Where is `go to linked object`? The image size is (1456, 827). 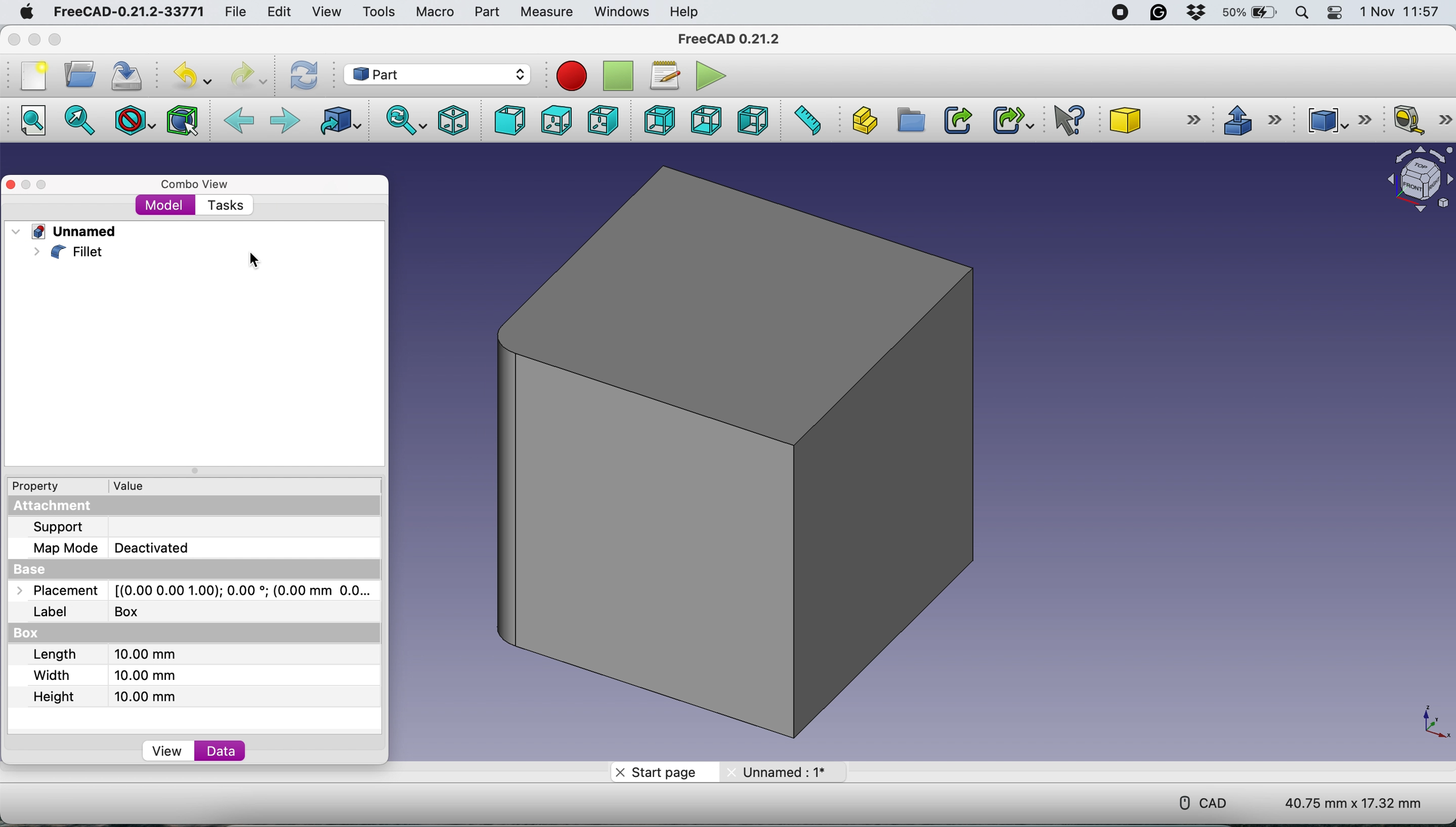 go to linked object is located at coordinates (338, 123).